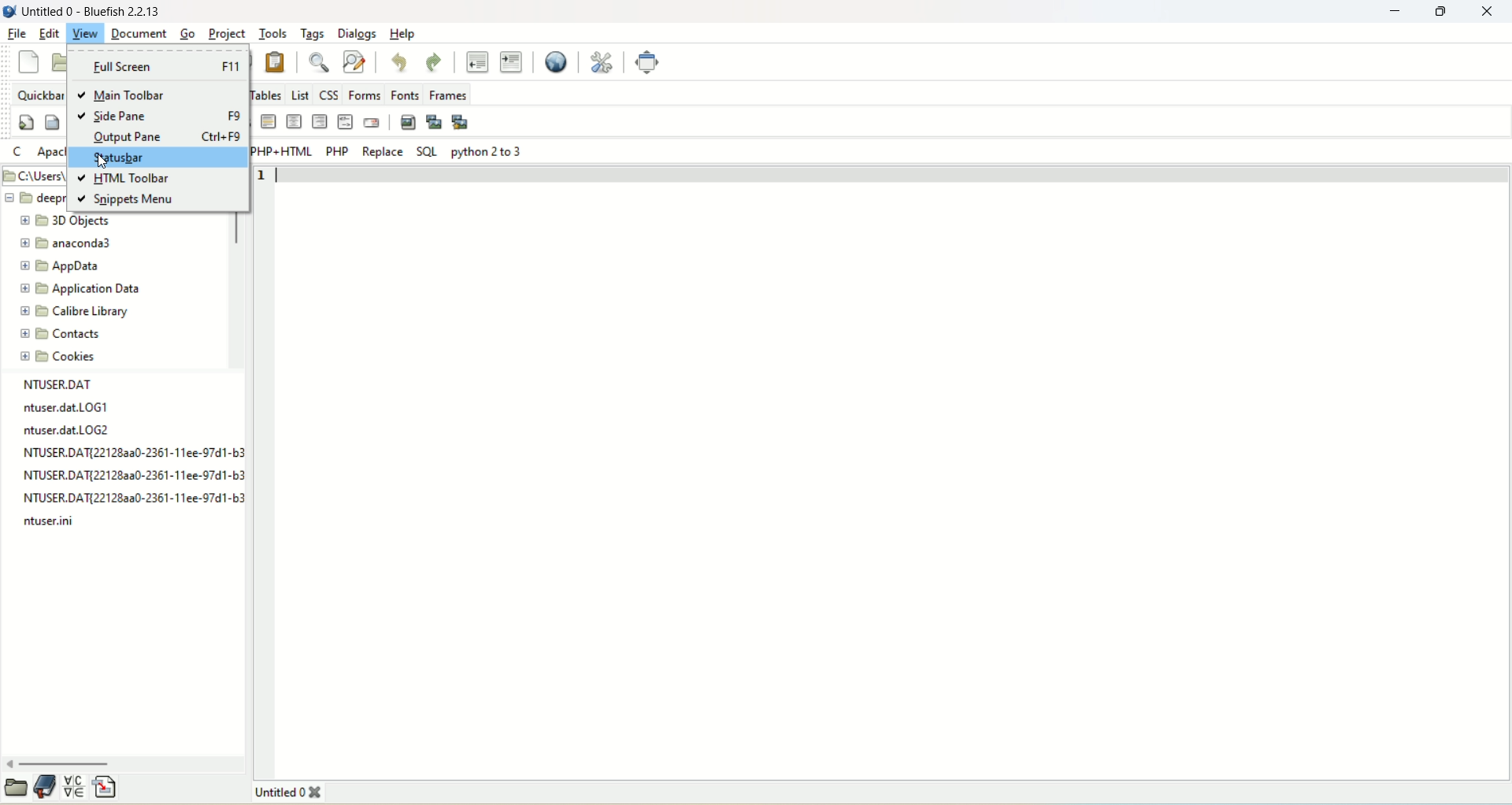 The width and height of the screenshot is (1512, 805). Describe the element at coordinates (450, 95) in the screenshot. I see `frames` at that location.